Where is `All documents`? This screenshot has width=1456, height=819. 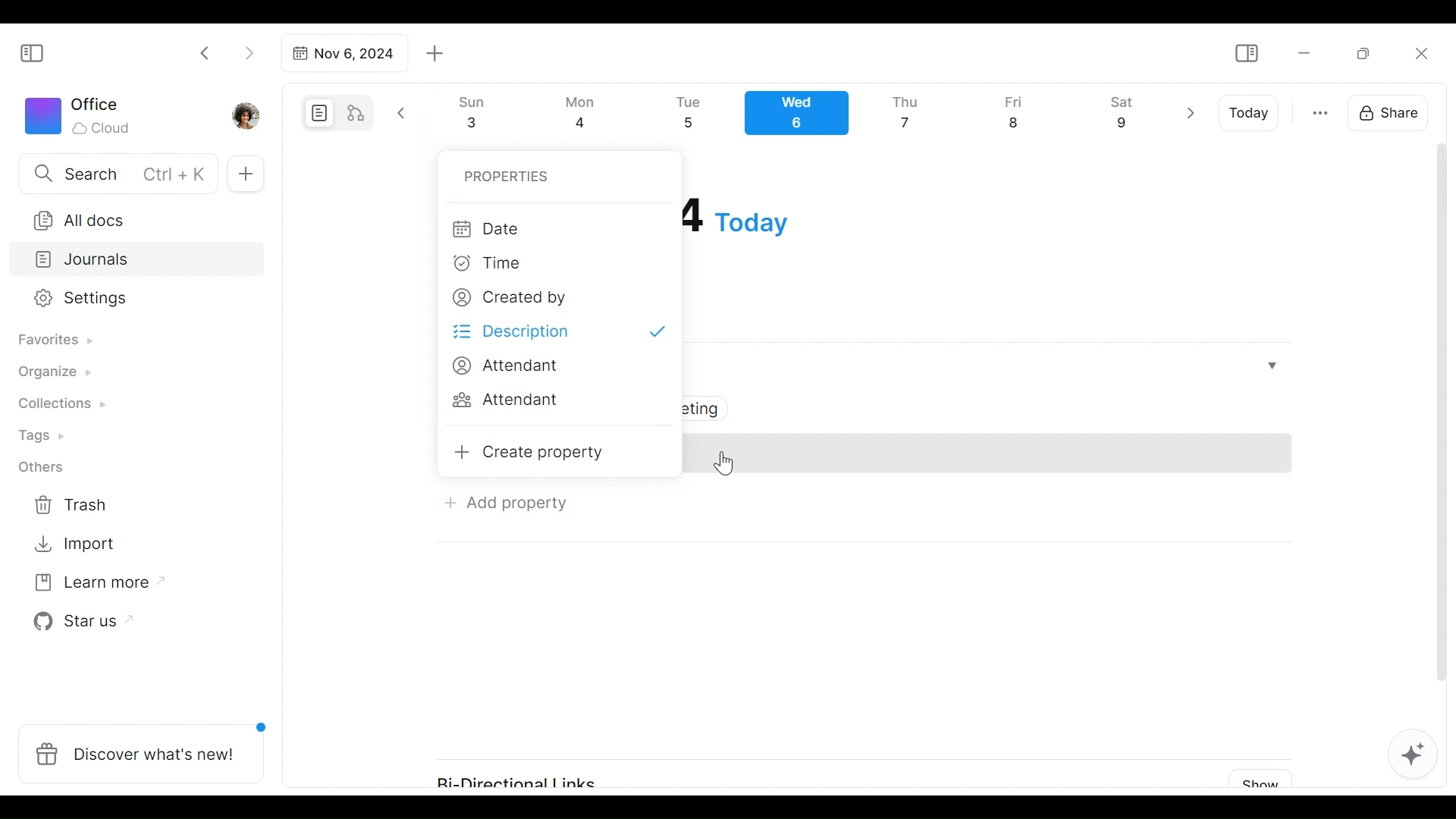 All documents is located at coordinates (131, 218).